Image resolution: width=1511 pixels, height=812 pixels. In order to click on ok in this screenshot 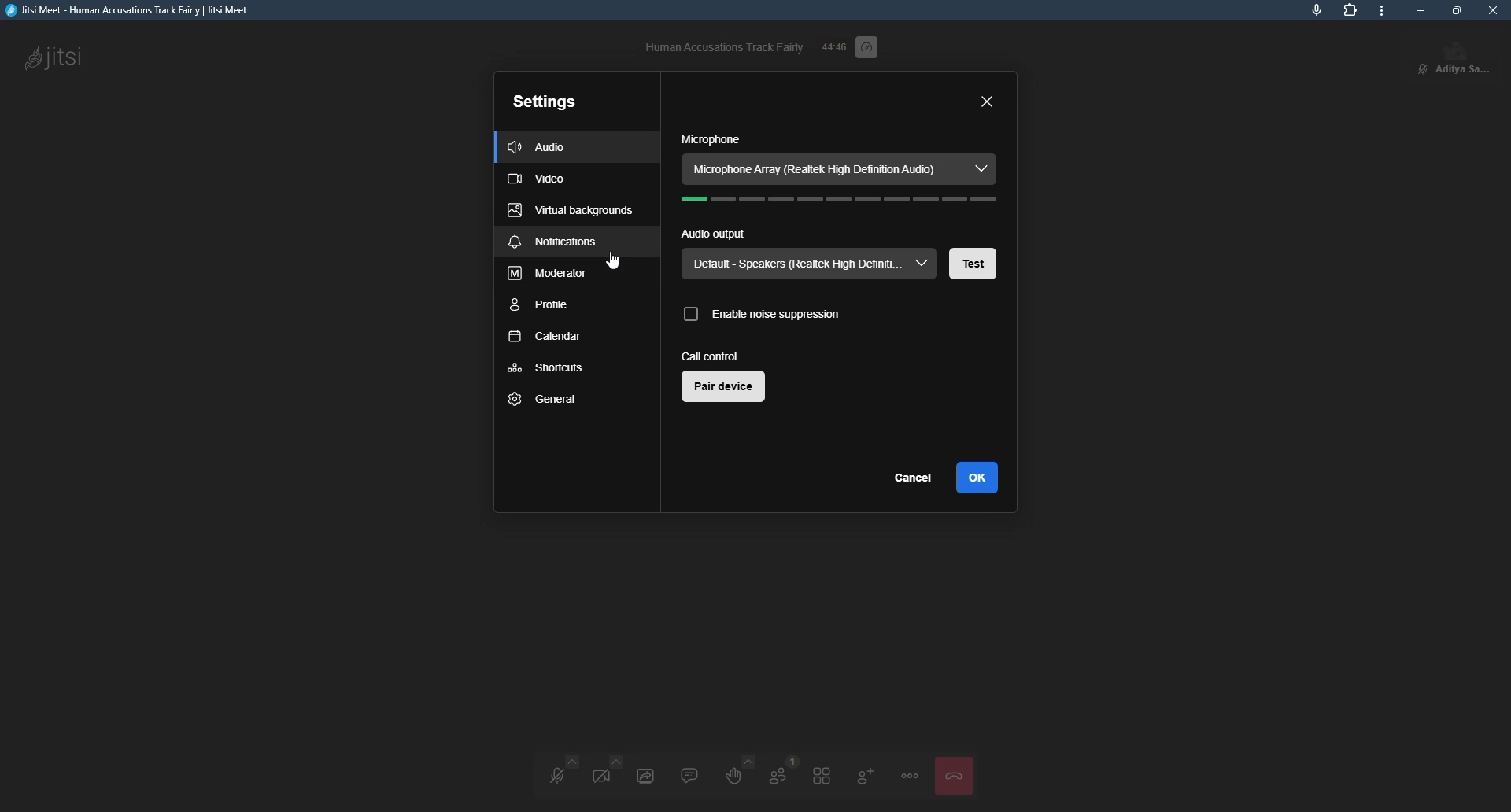, I will do `click(980, 478)`.